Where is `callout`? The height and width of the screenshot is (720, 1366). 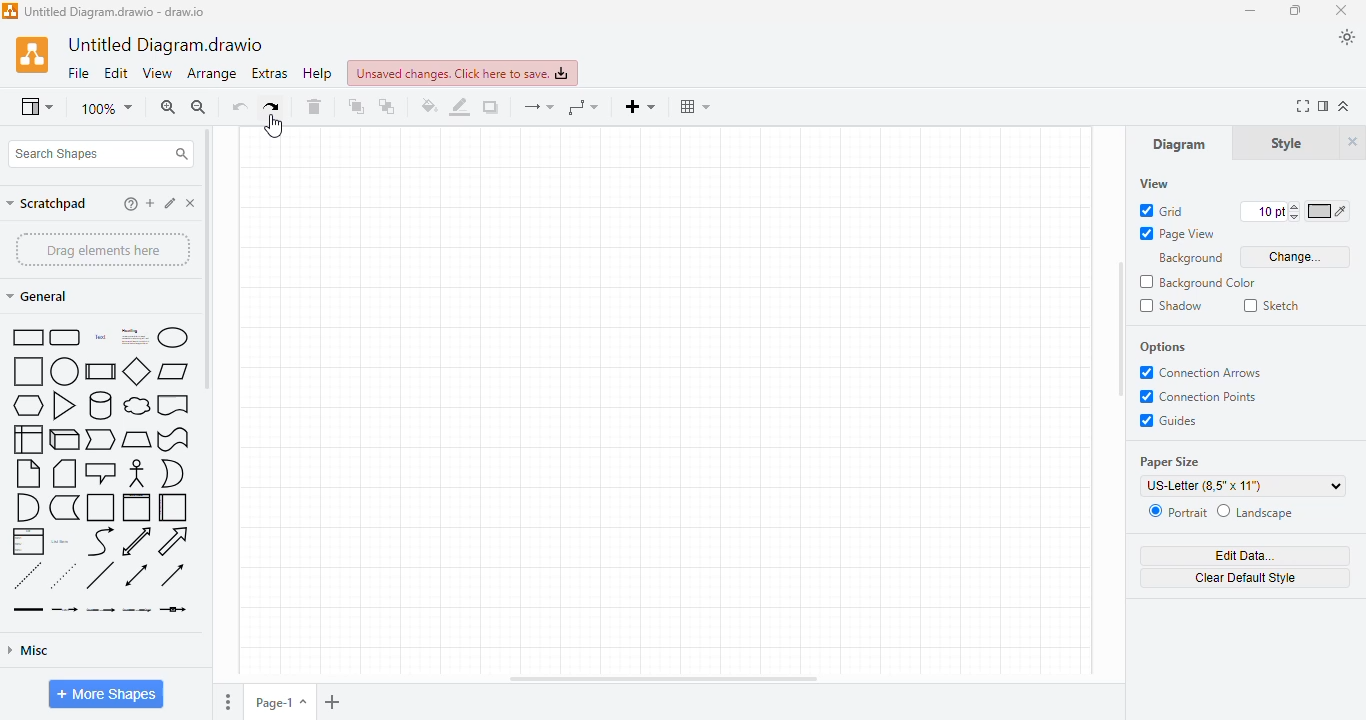
callout is located at coordinates (102, 473).